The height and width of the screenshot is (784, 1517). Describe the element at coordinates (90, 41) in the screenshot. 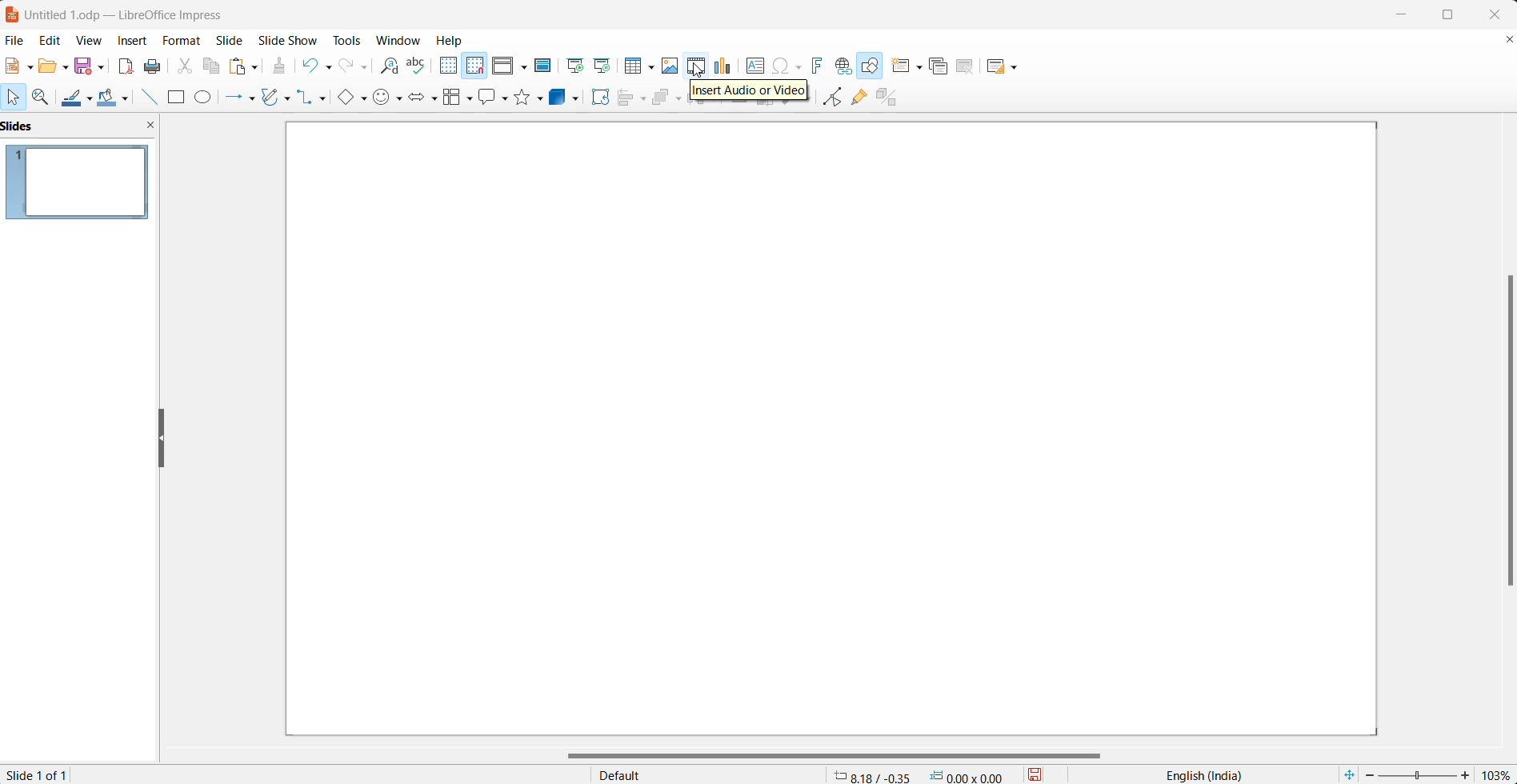

I see `view` at that location.